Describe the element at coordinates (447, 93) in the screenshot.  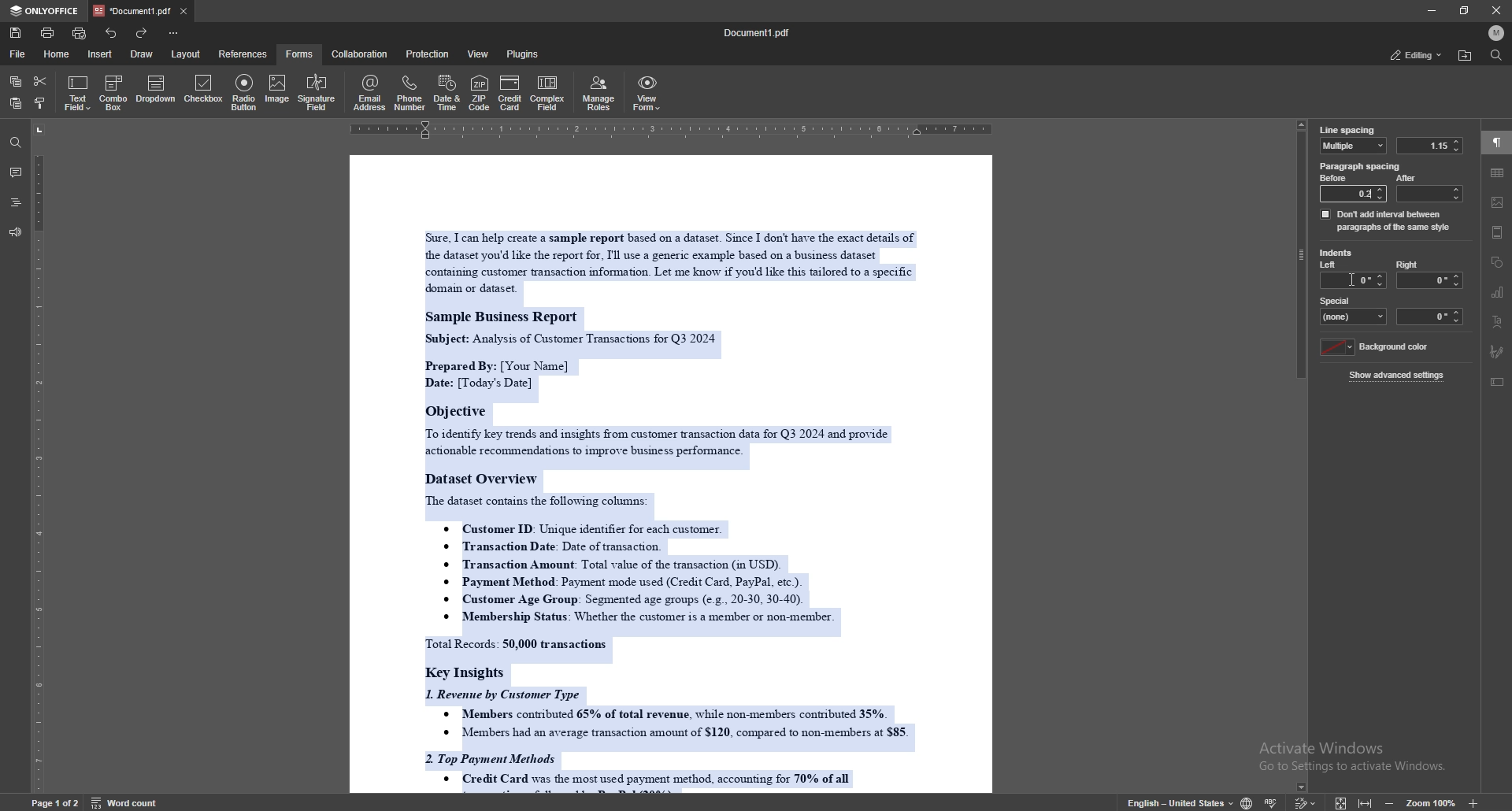
I see `date and time` at that location.